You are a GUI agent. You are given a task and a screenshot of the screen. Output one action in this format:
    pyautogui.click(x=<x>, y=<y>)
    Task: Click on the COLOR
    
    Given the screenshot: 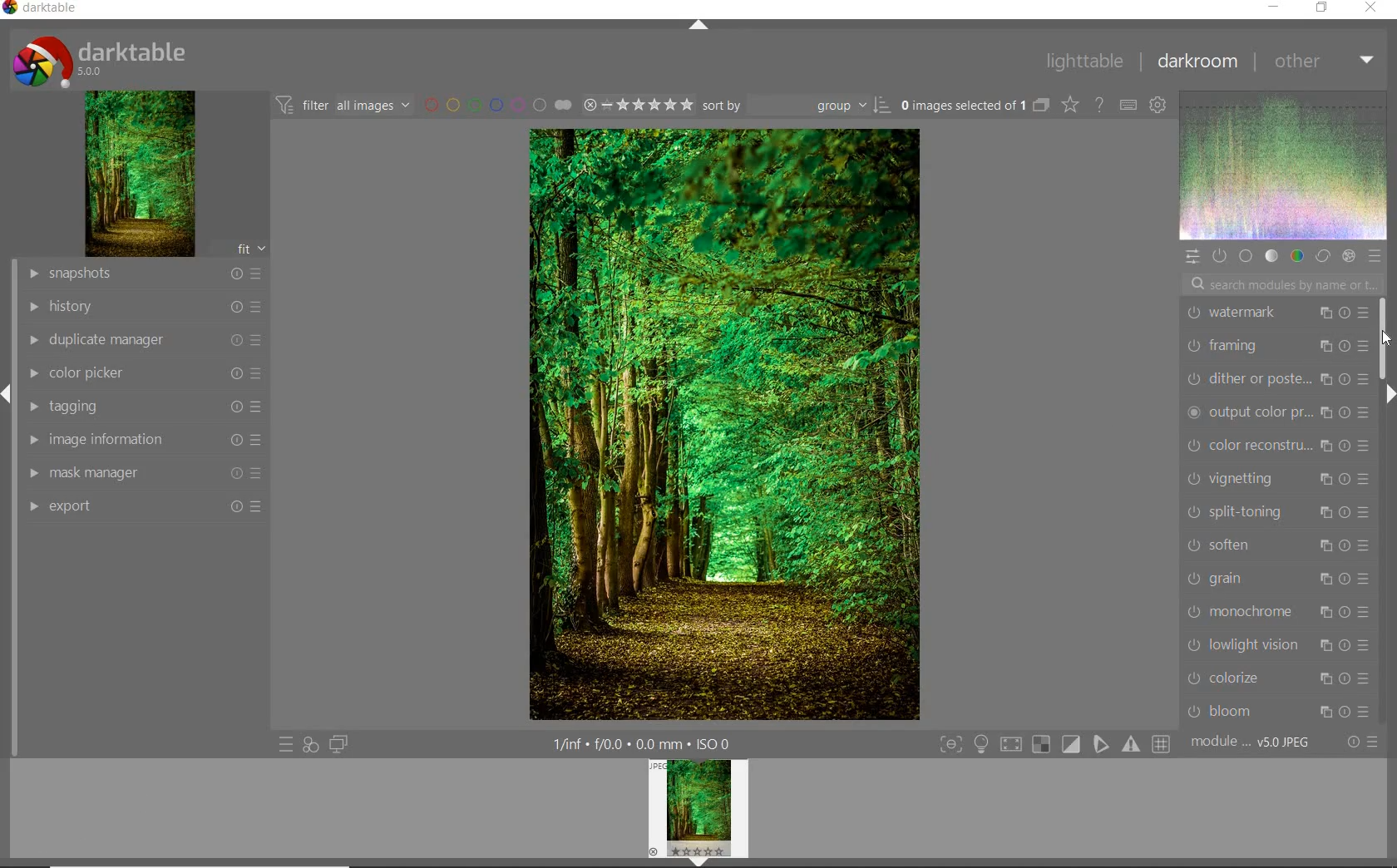 What is the action you would take?
    pyautogui.click(x=1299, y=256)
    